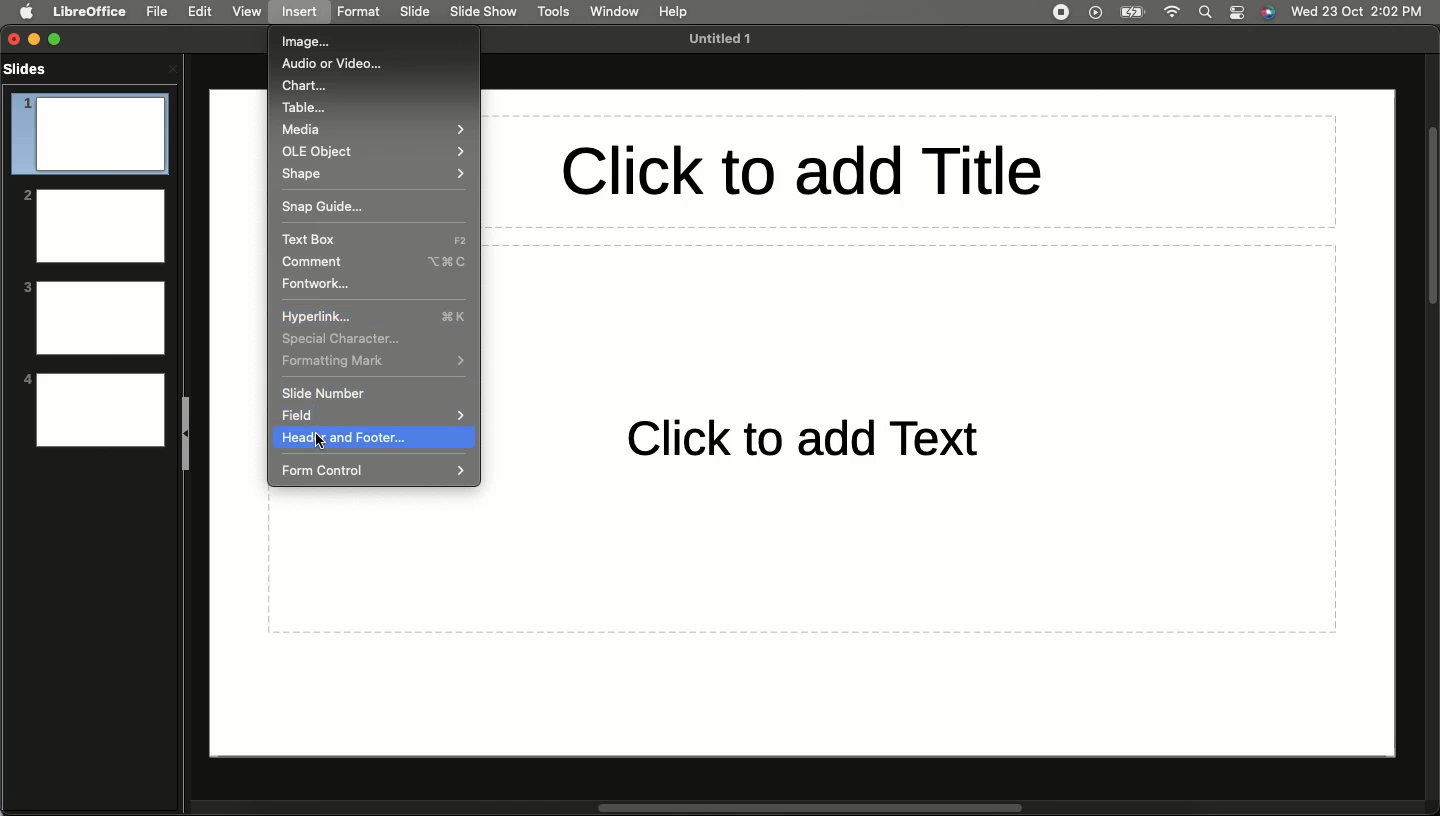  I want to click on Edit, so click(199, 12).